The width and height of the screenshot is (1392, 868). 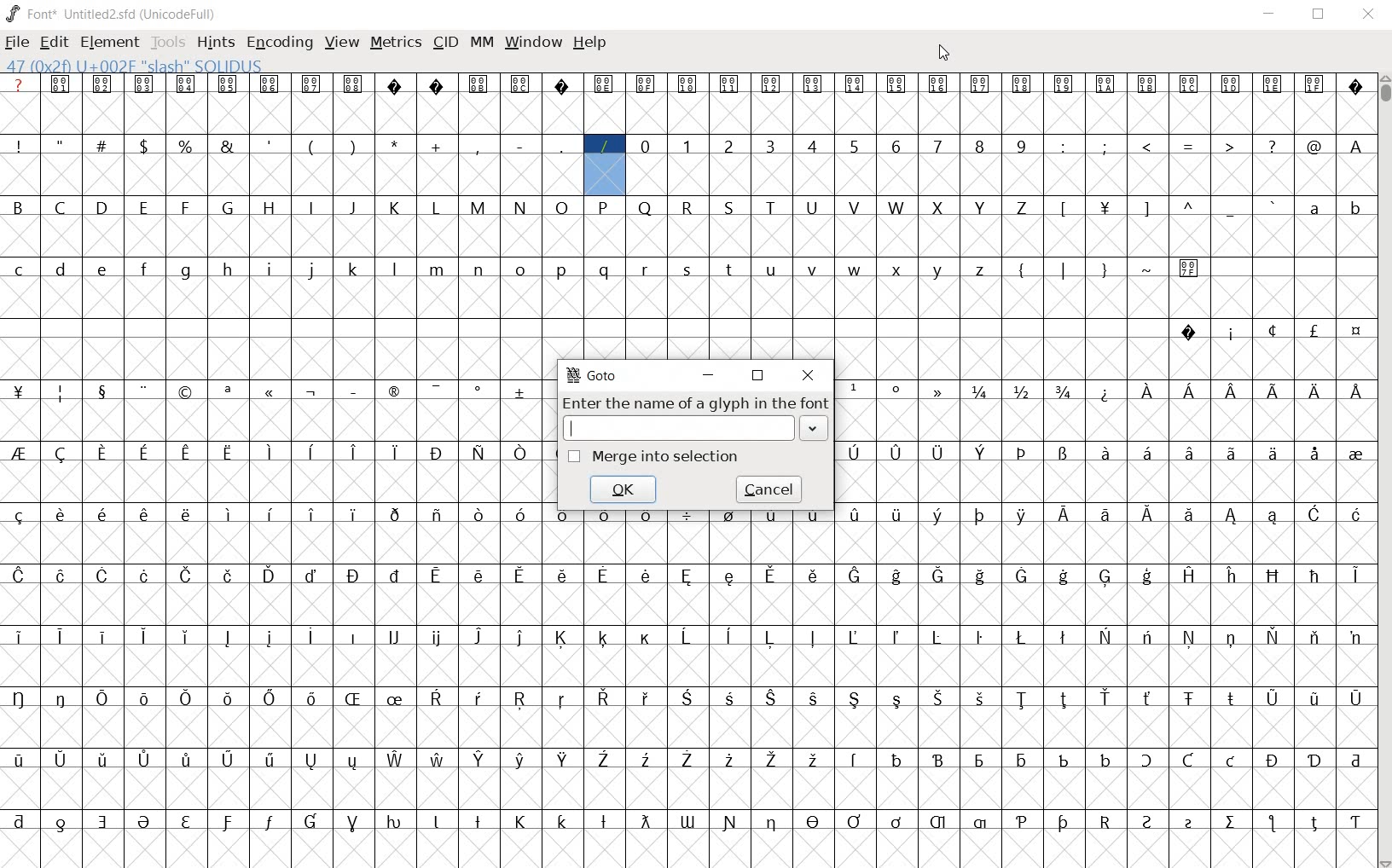 What do you see at coordinates (187, 514) in the screenshot?
I see `glyph` at bounding box center [187, 514].